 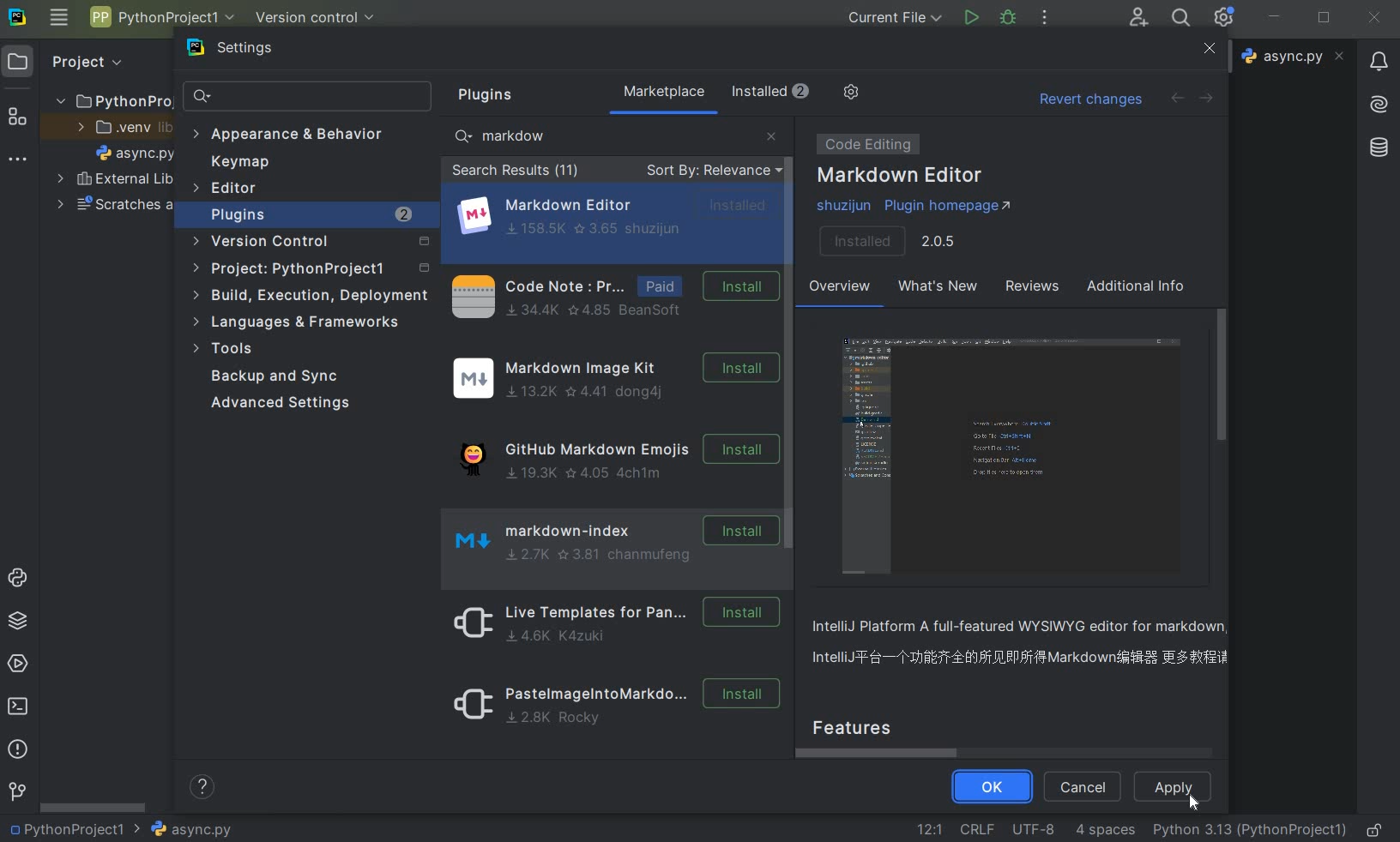 What do you see at coordinates (868, 725) in the screenshot?
I see `features` at bounding box center [868, 725].